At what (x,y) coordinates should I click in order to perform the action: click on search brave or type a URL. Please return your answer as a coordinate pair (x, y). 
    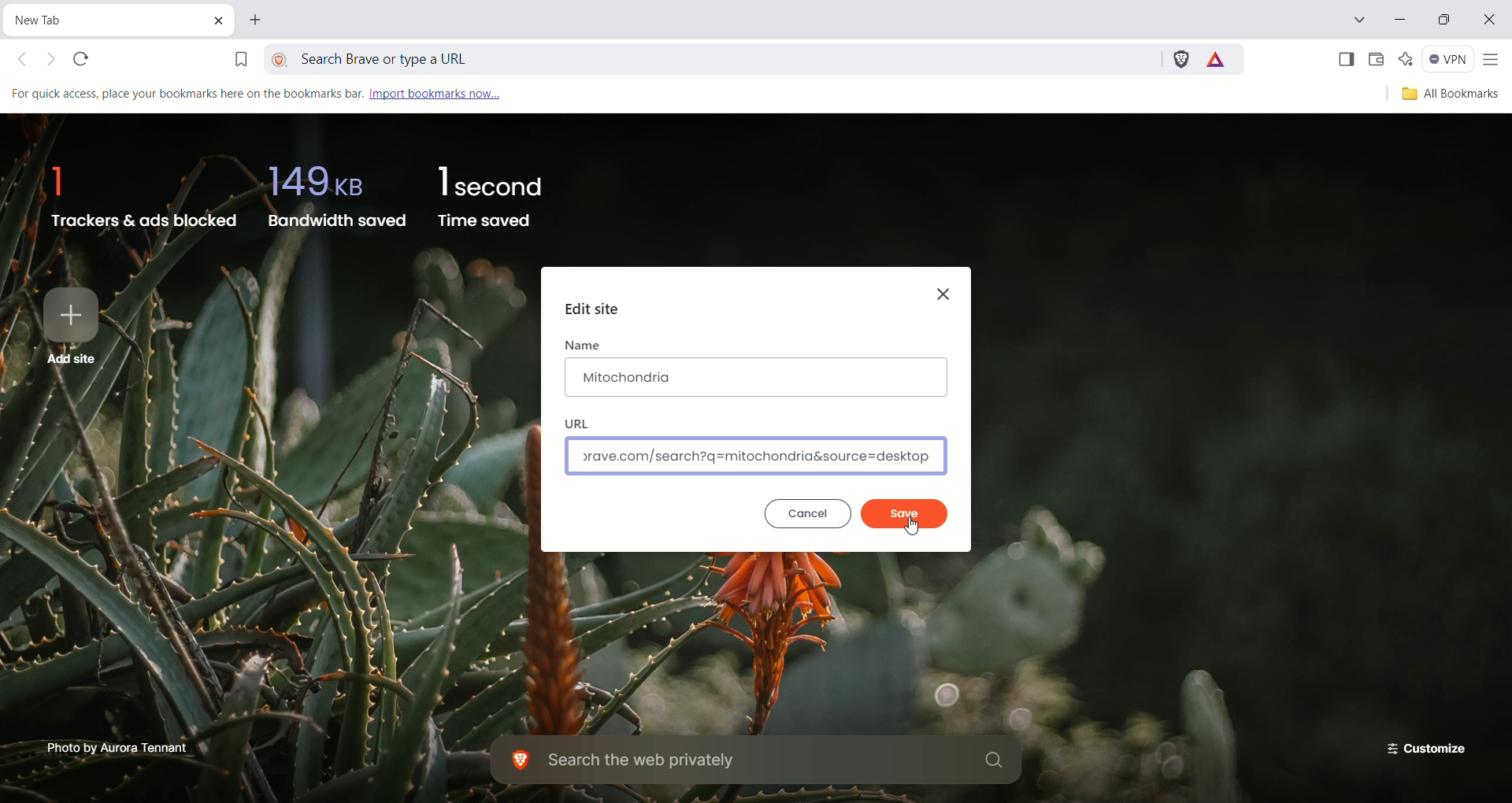
    Looking at the image, I should click on (714, 56).